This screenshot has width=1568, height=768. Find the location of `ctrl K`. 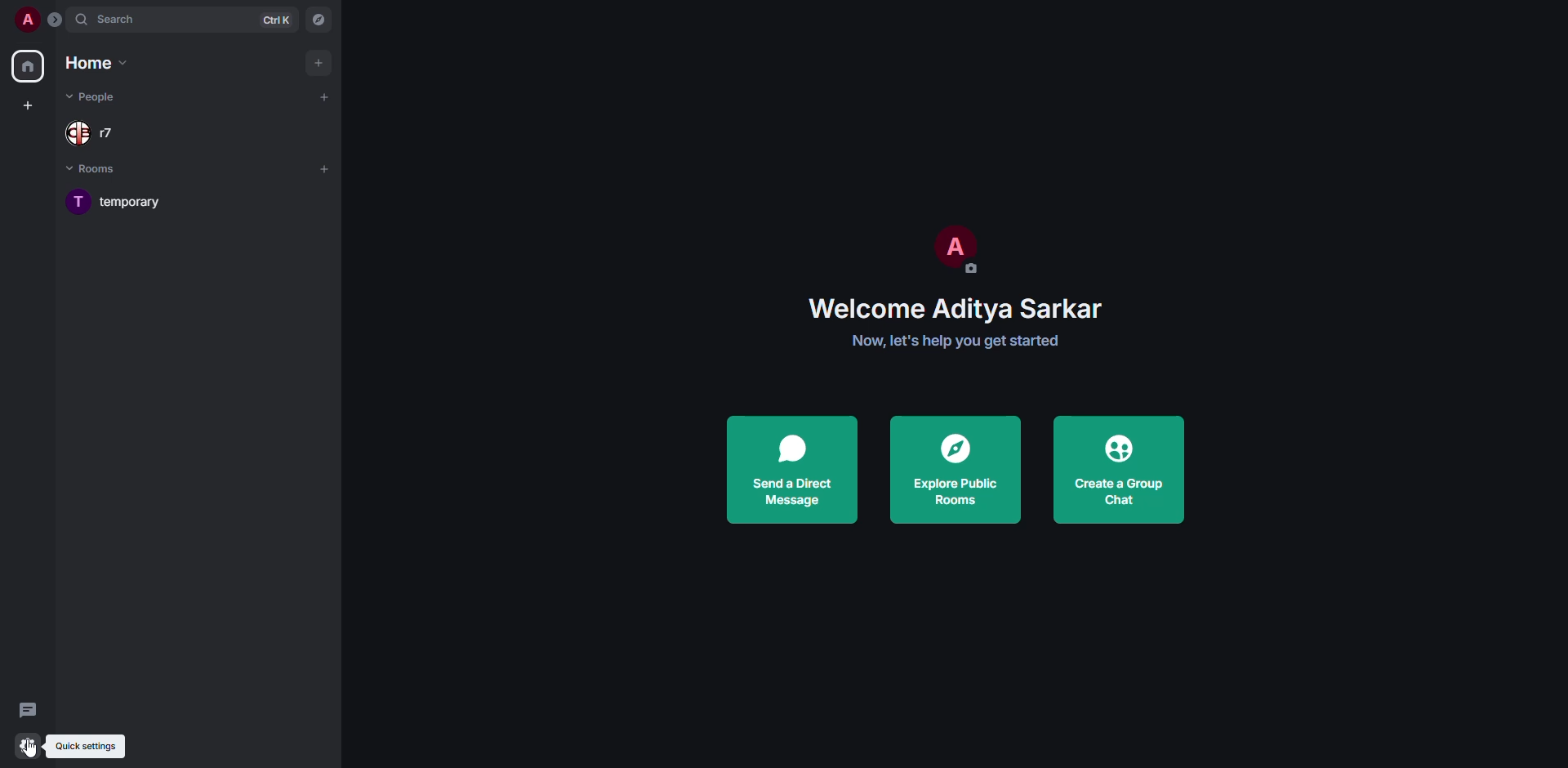

ctrl K is located at coordinates (277, 19).